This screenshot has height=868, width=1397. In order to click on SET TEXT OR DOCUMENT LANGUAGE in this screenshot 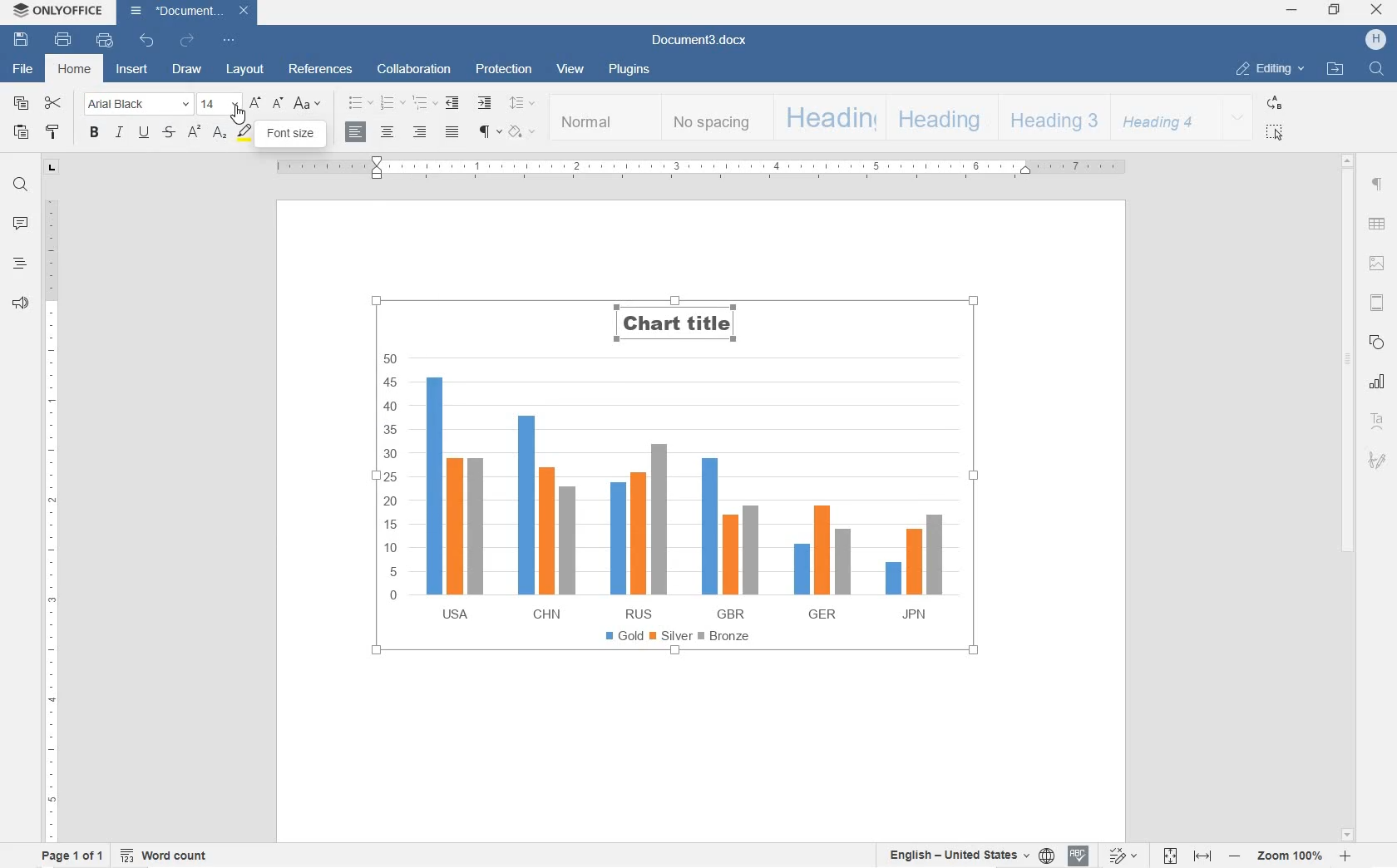, I will do `click(967, 855)`.